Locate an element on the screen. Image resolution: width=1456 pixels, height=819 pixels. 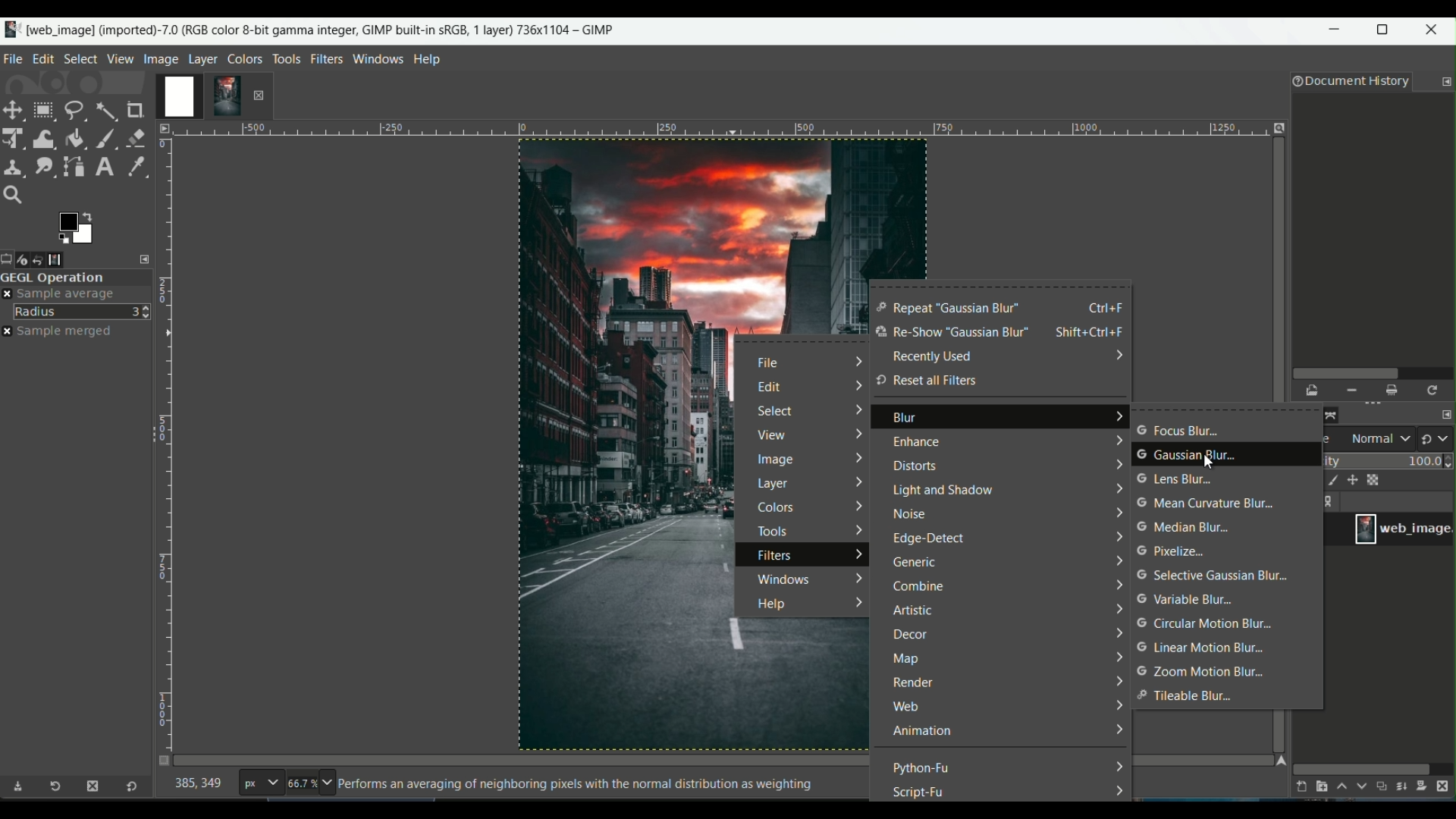
web is located at coordinates (907, 708).